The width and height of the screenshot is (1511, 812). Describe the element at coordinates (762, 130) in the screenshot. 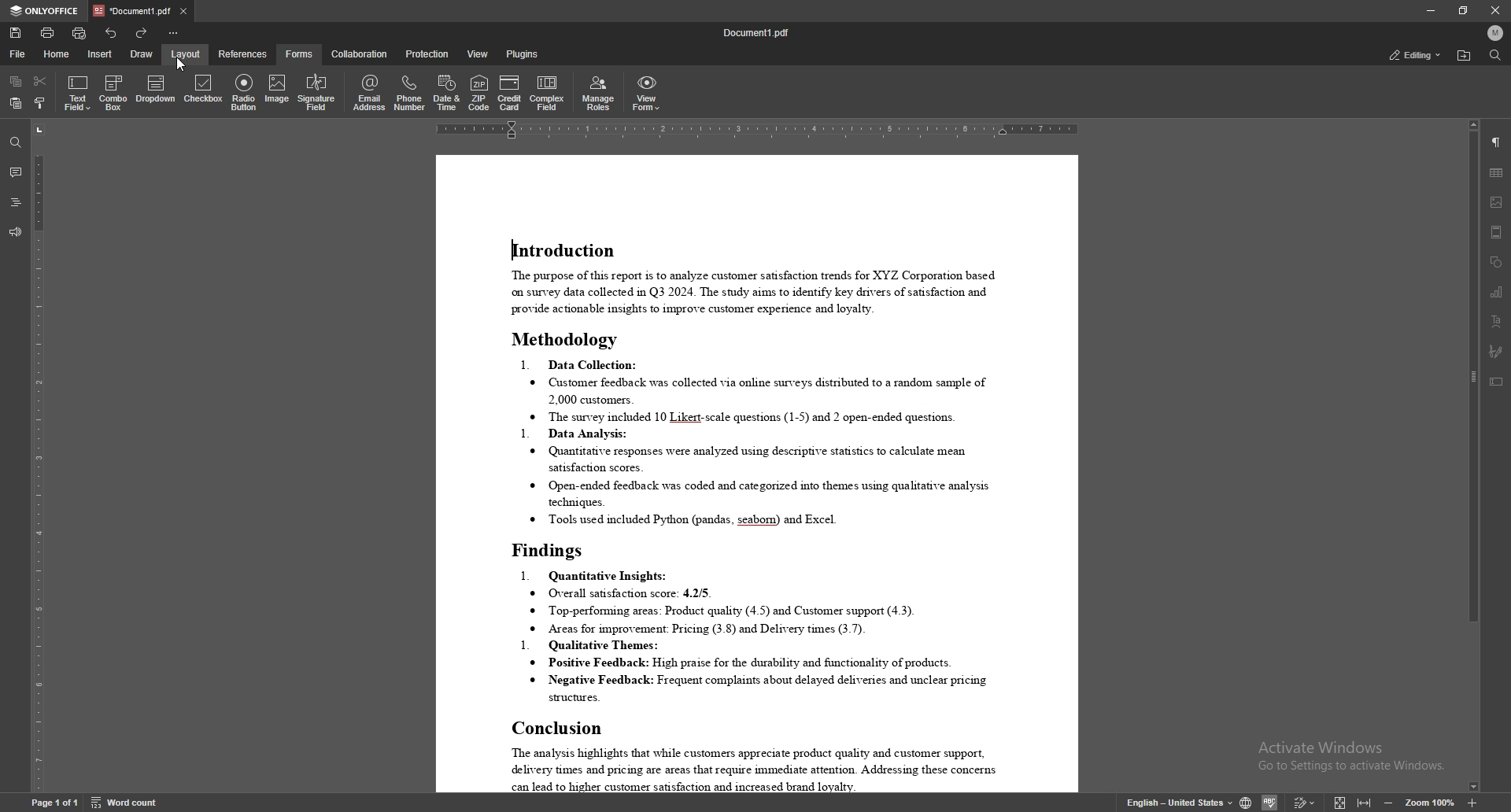

I see `horizontal scale` at that location.